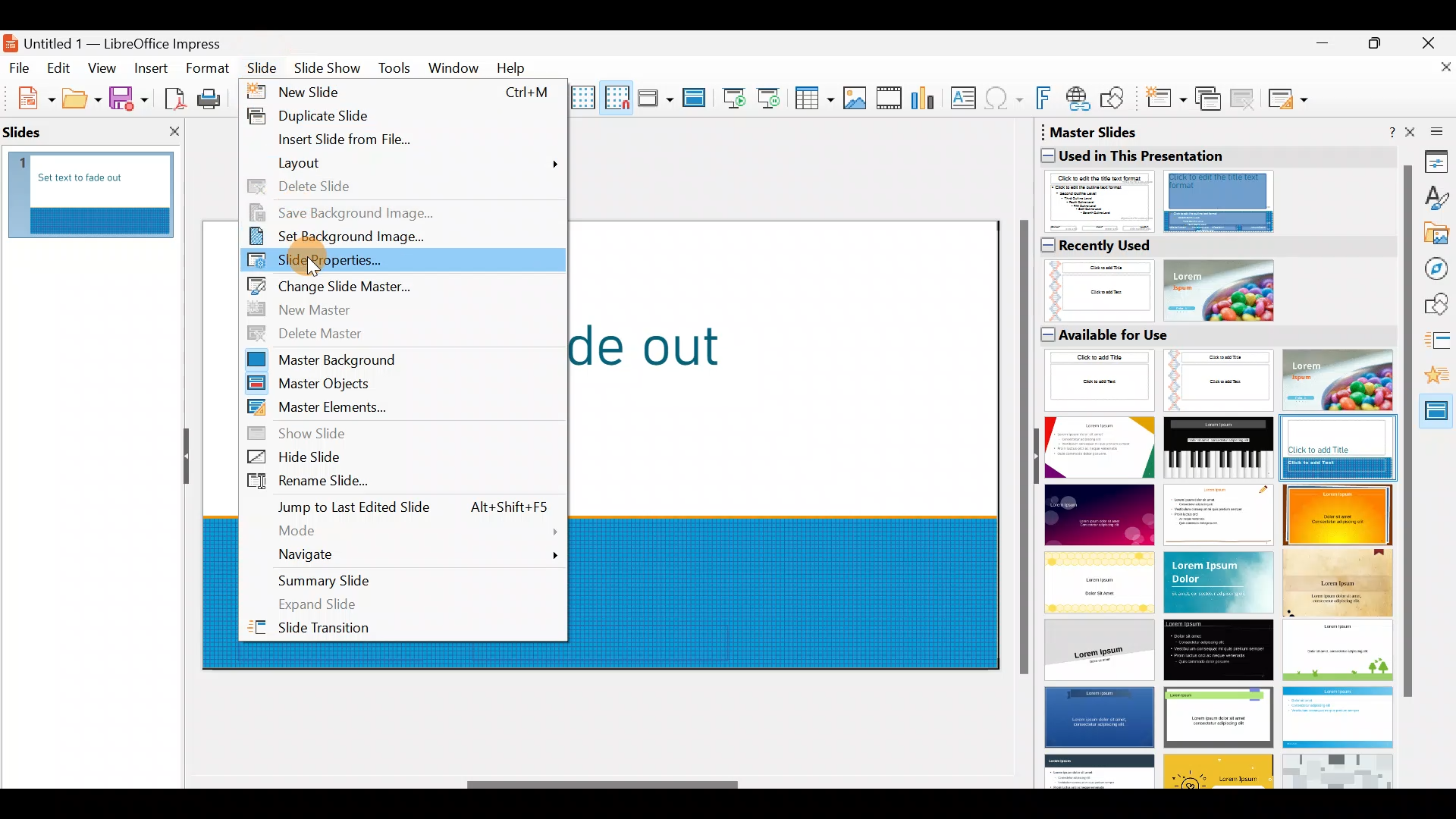  I want to click on Master slide, so click(696, 99).